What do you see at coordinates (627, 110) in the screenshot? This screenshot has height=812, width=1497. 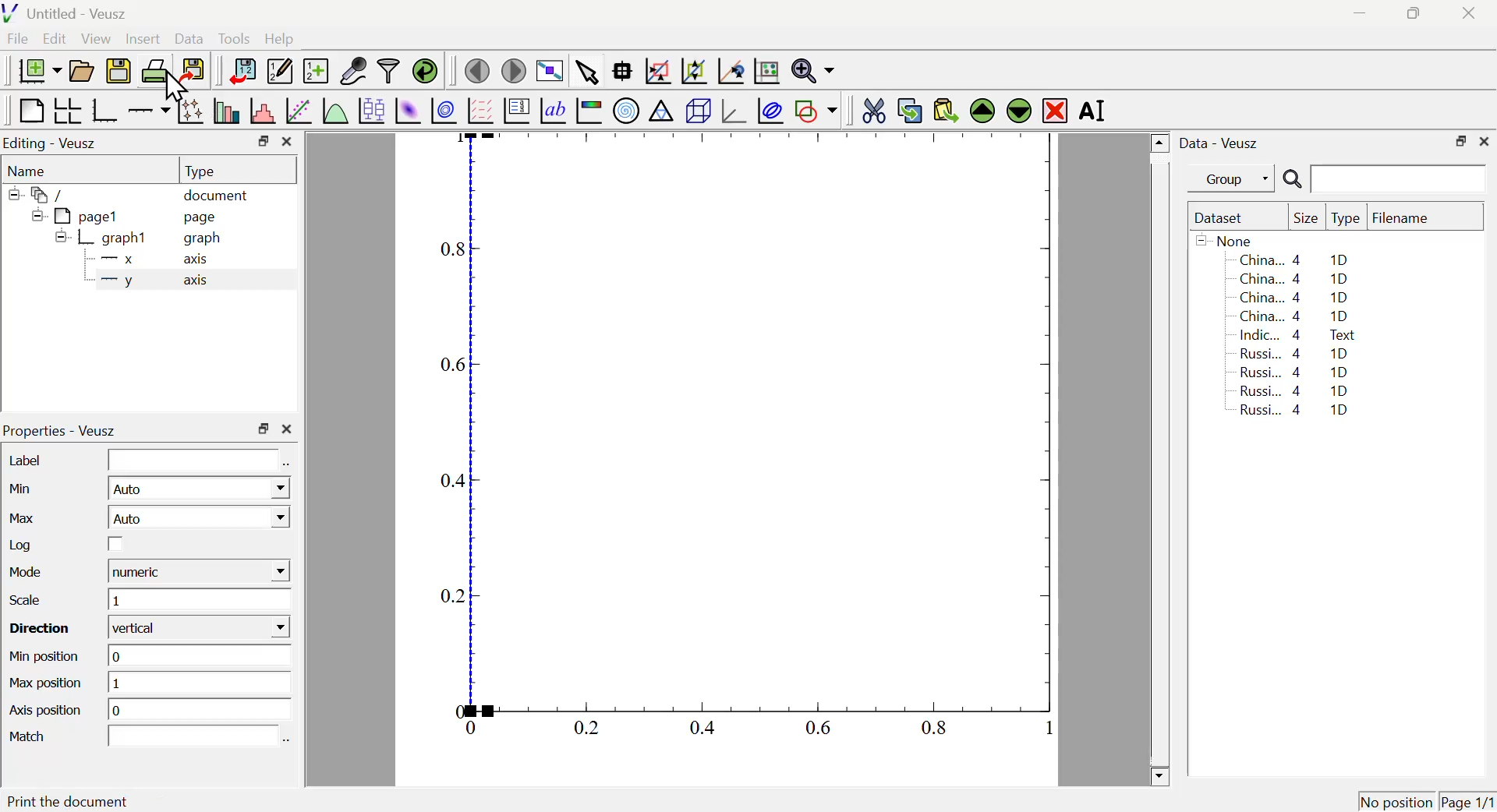 I see `Polar Graph` at bounding box center [627, 110].